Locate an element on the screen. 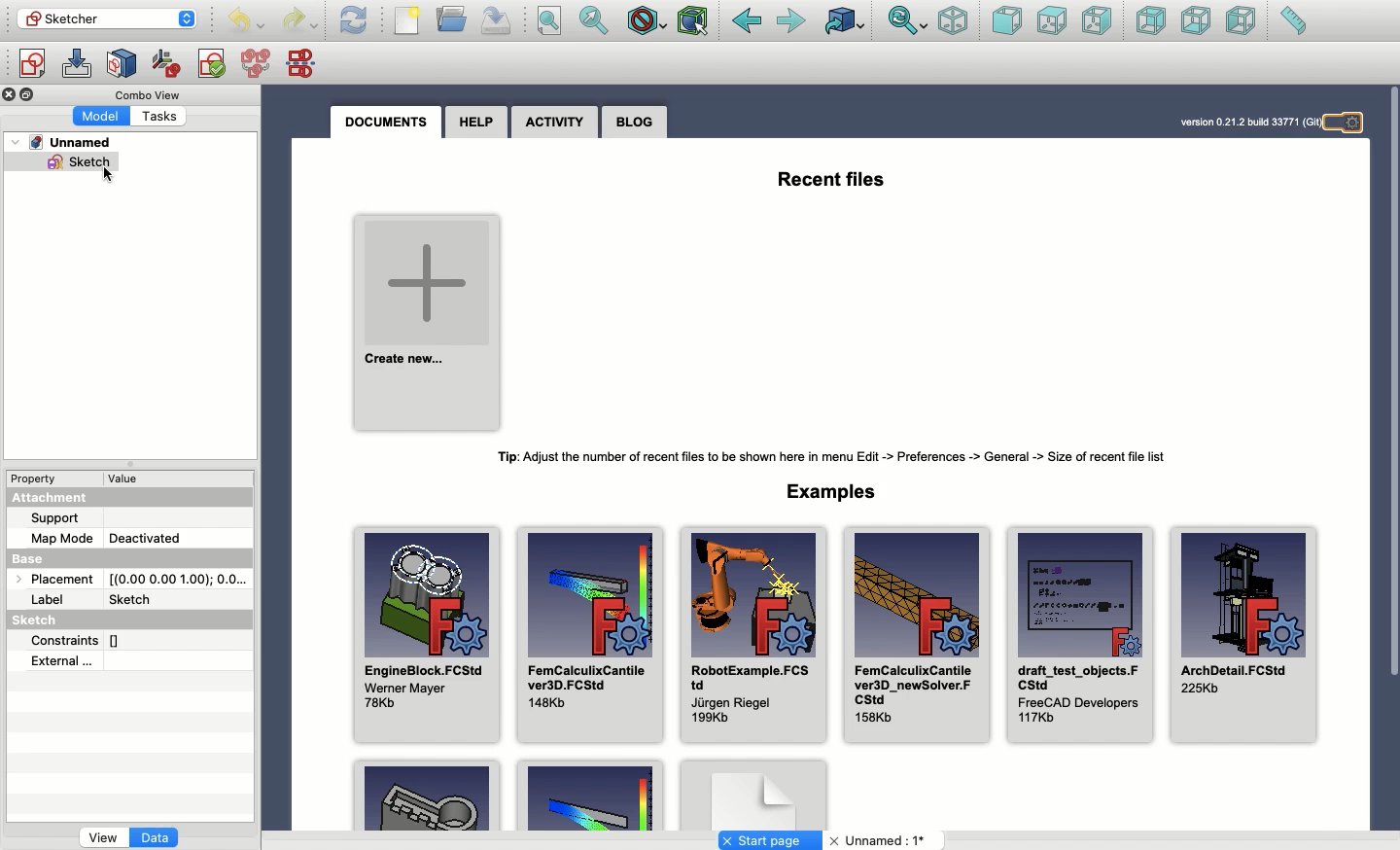 The width and height of the screenshot is (1400, 850). Combo View is located at coordinates (149, 94).